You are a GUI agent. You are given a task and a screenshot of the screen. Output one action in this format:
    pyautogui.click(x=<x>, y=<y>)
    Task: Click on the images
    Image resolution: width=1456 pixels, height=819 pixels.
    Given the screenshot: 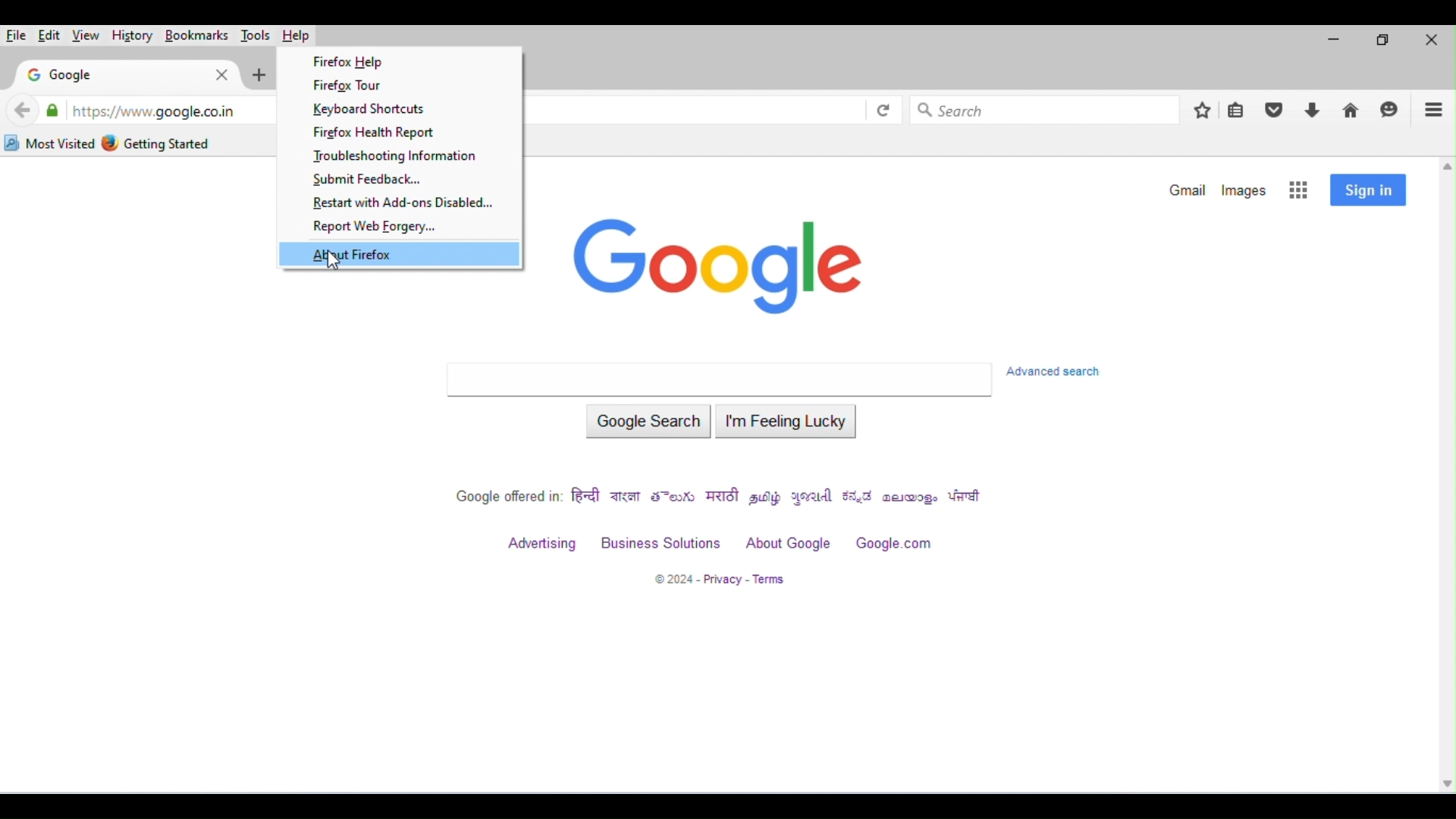 What is the action you would take?
    pyautogui.click(x=1246, y=190)
    